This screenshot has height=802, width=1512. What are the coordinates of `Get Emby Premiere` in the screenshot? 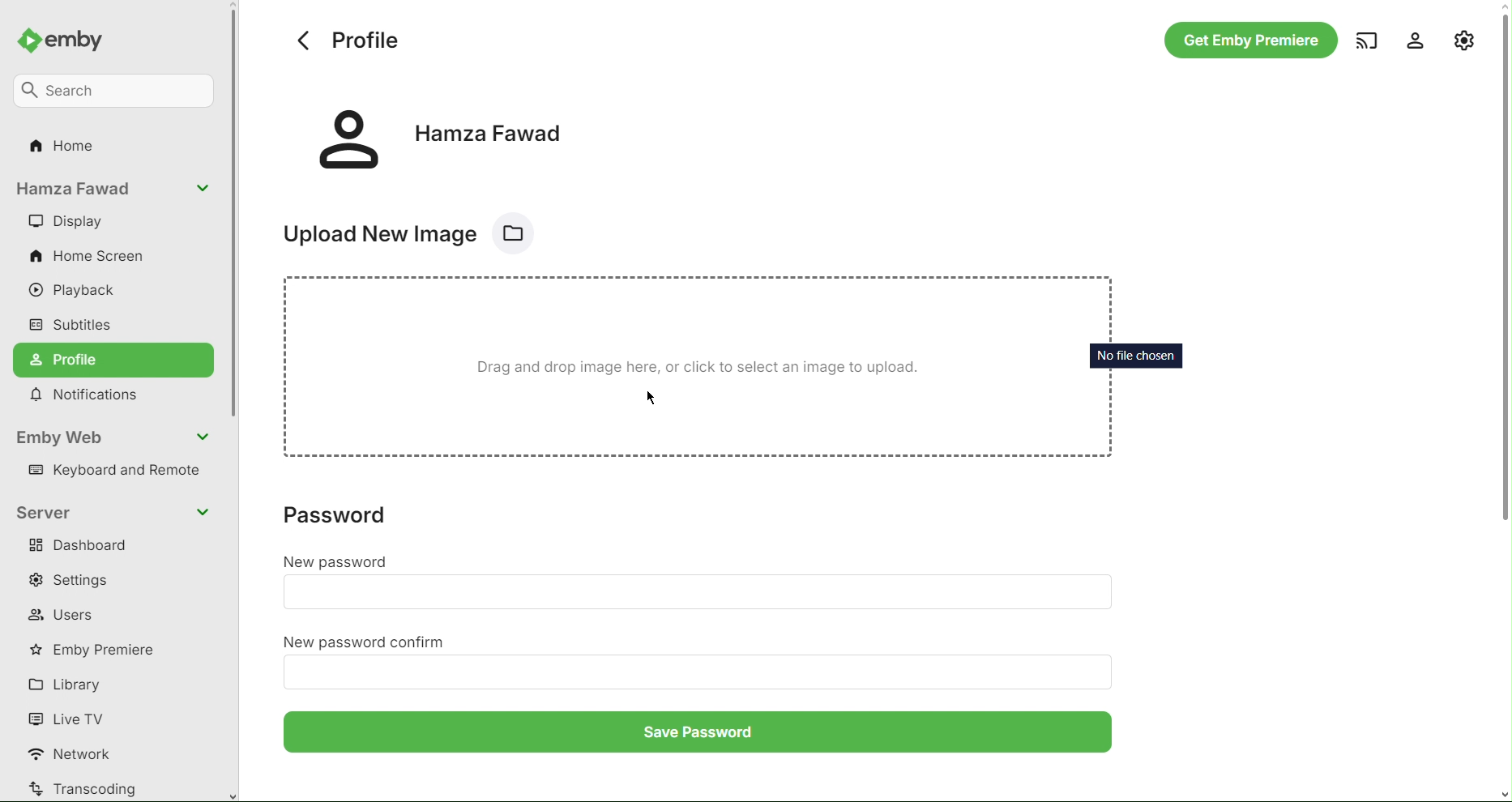 It's located at (1248, 41).